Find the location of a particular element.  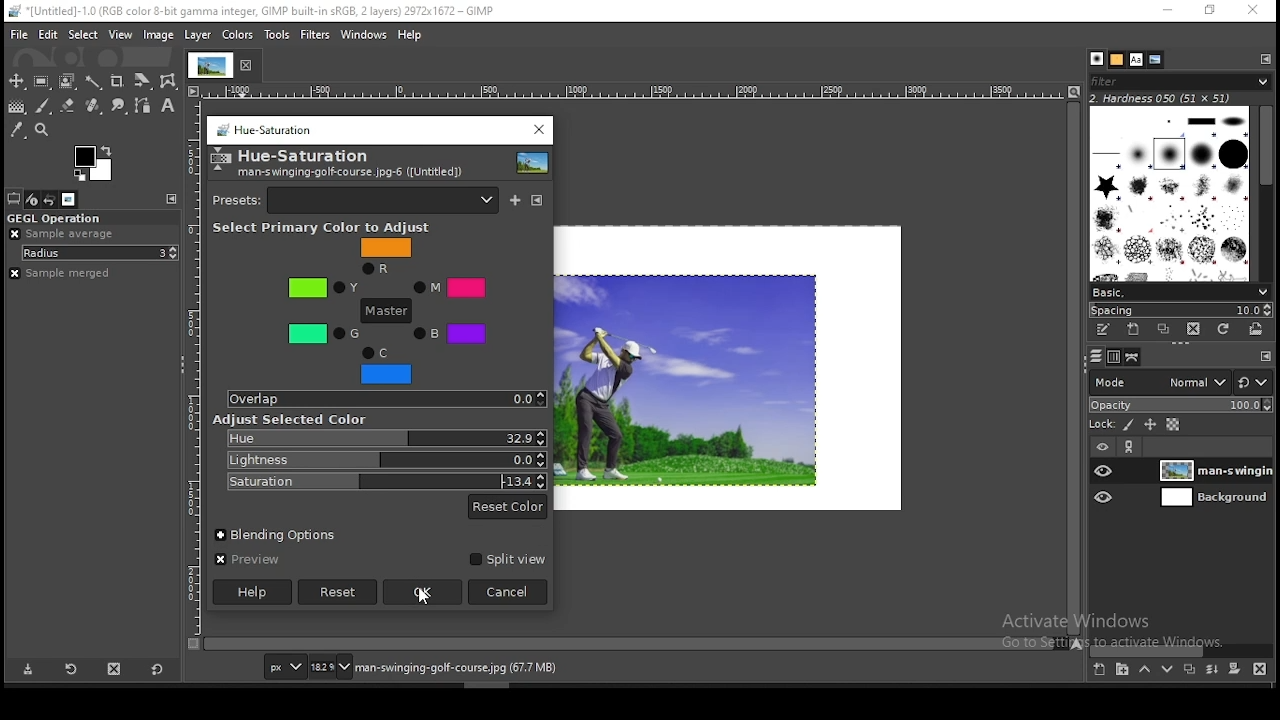

restore is located at coordinates (1212, 12).